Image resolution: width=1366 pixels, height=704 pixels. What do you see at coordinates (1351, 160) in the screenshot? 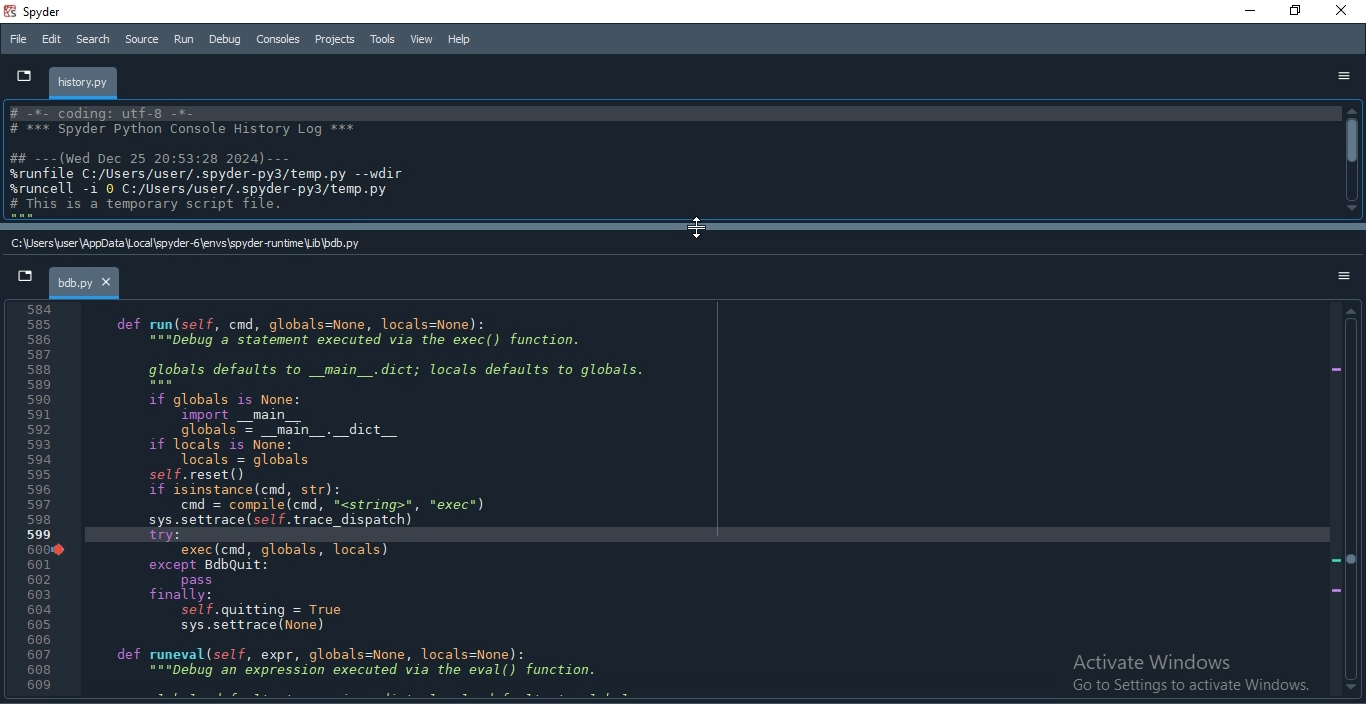
I see `Scrollbar` at bounding box center [1351, 160].